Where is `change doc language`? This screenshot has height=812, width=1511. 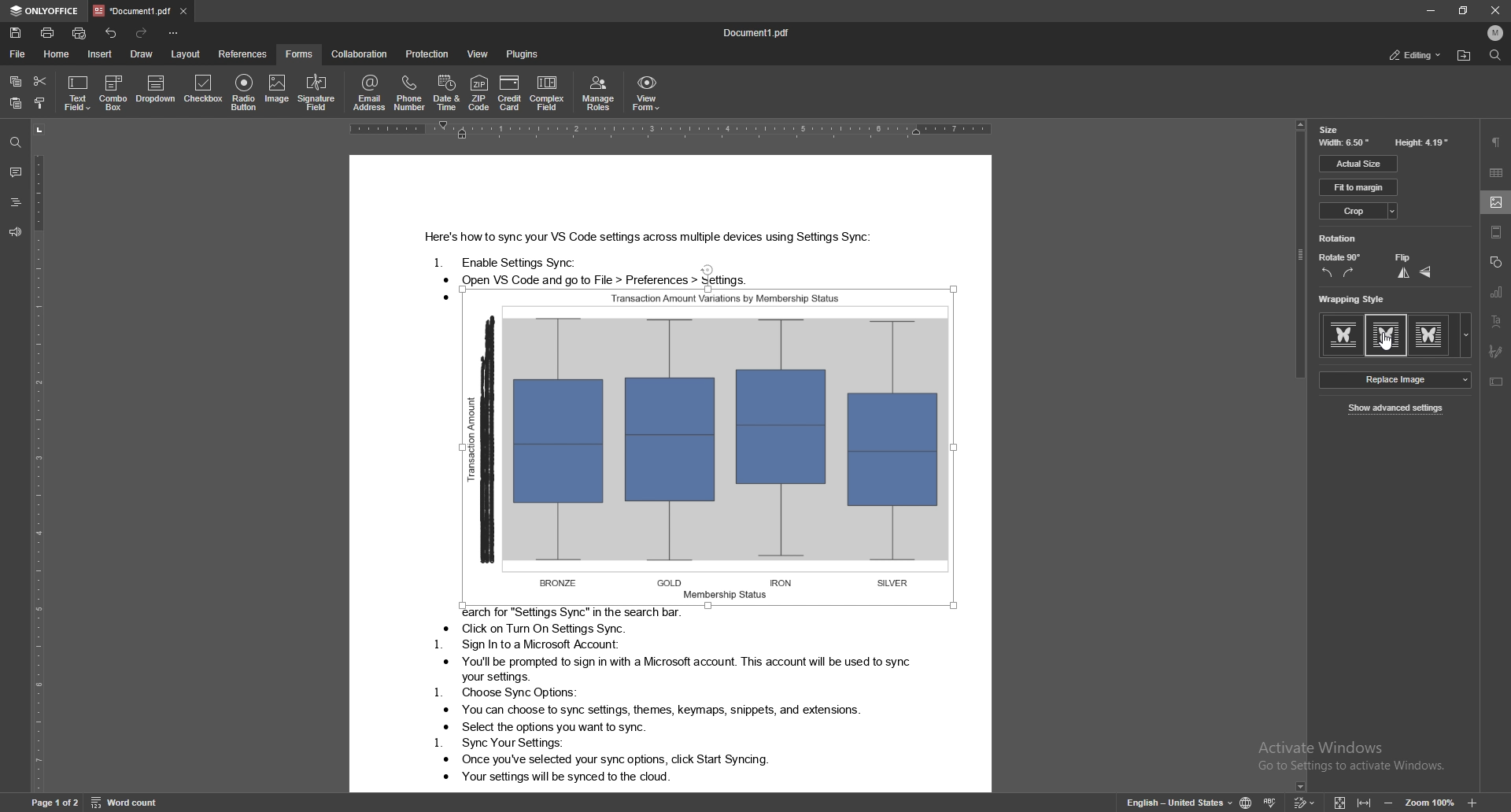
change doc language is located at coordinates (1247, 802).